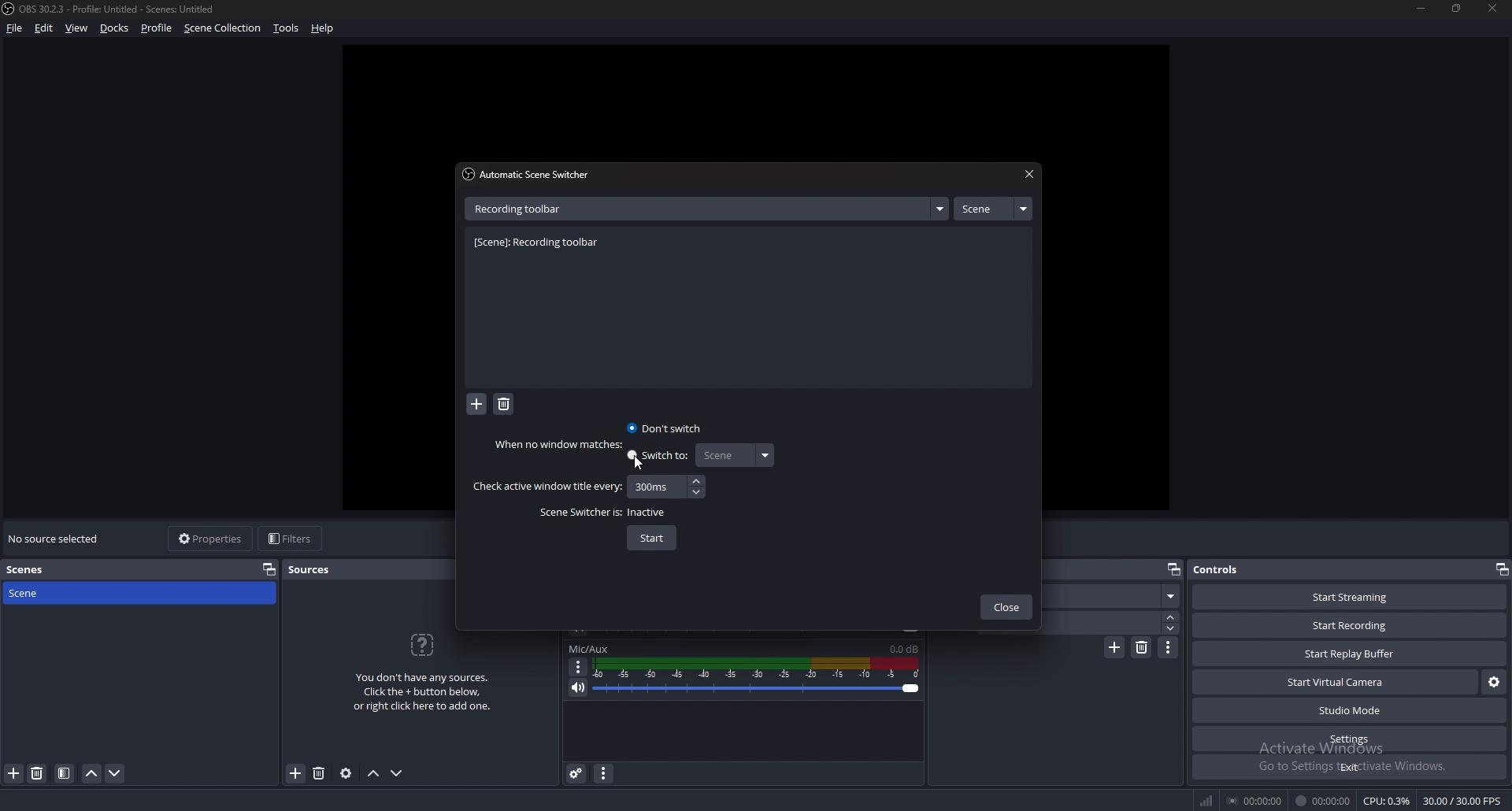  I want to click on minimize, so click(1421, 8).